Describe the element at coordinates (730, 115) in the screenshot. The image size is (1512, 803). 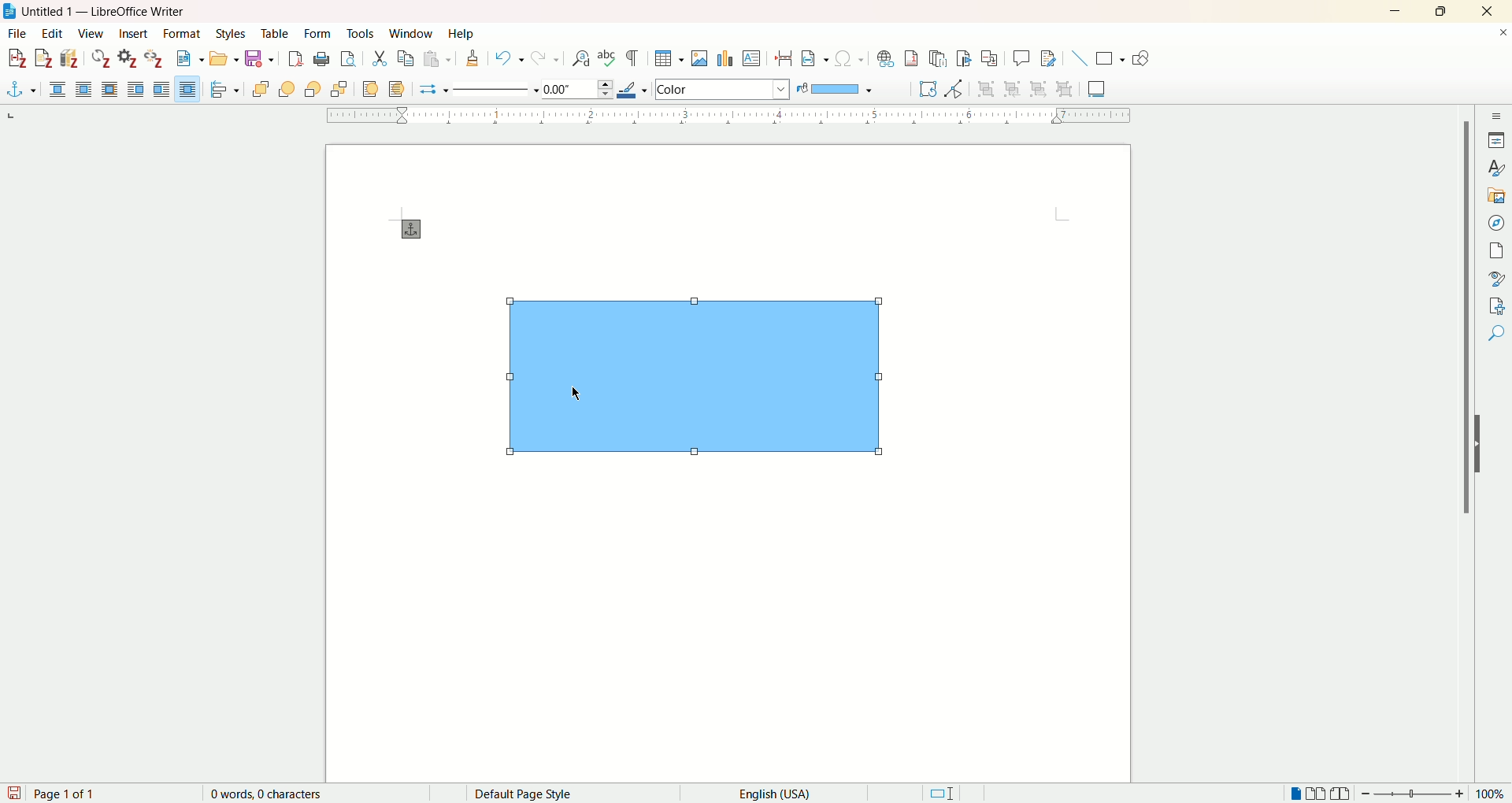
I see `ruler` at that location.